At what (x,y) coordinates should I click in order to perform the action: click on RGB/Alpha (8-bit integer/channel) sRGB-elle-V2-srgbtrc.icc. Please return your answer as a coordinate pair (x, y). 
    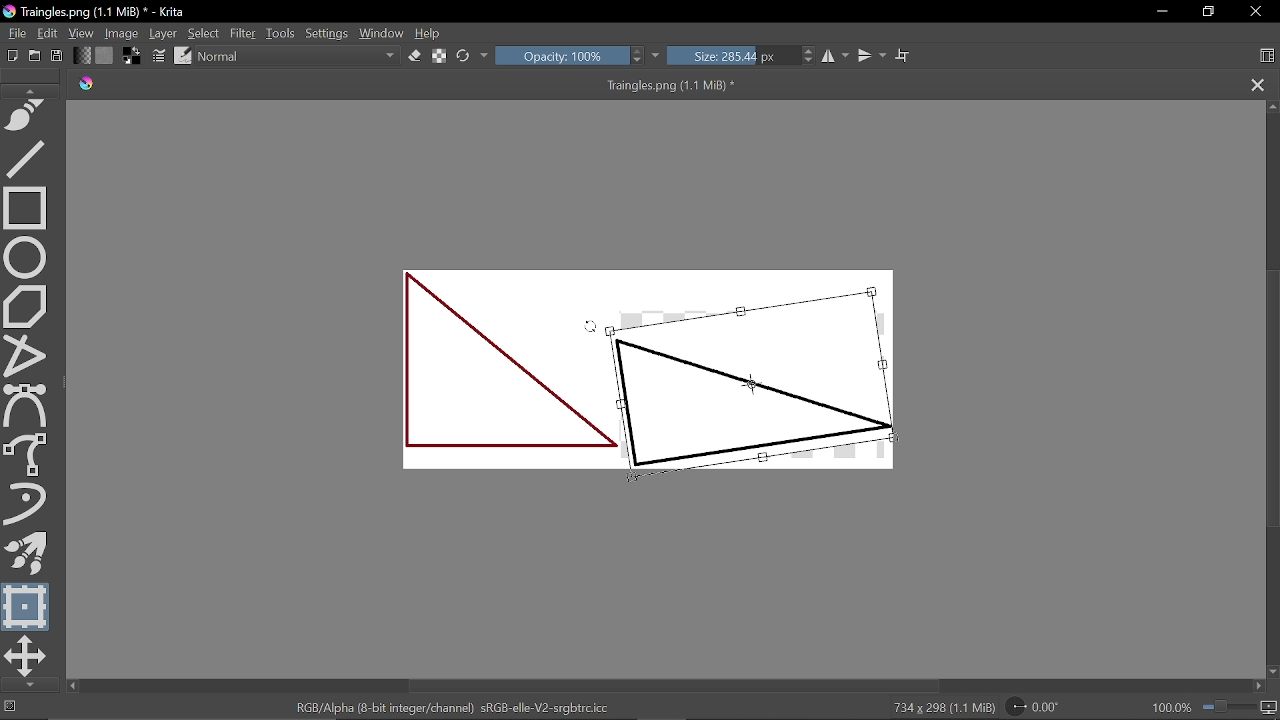
    Looking at the image, I should click on (455, 706).